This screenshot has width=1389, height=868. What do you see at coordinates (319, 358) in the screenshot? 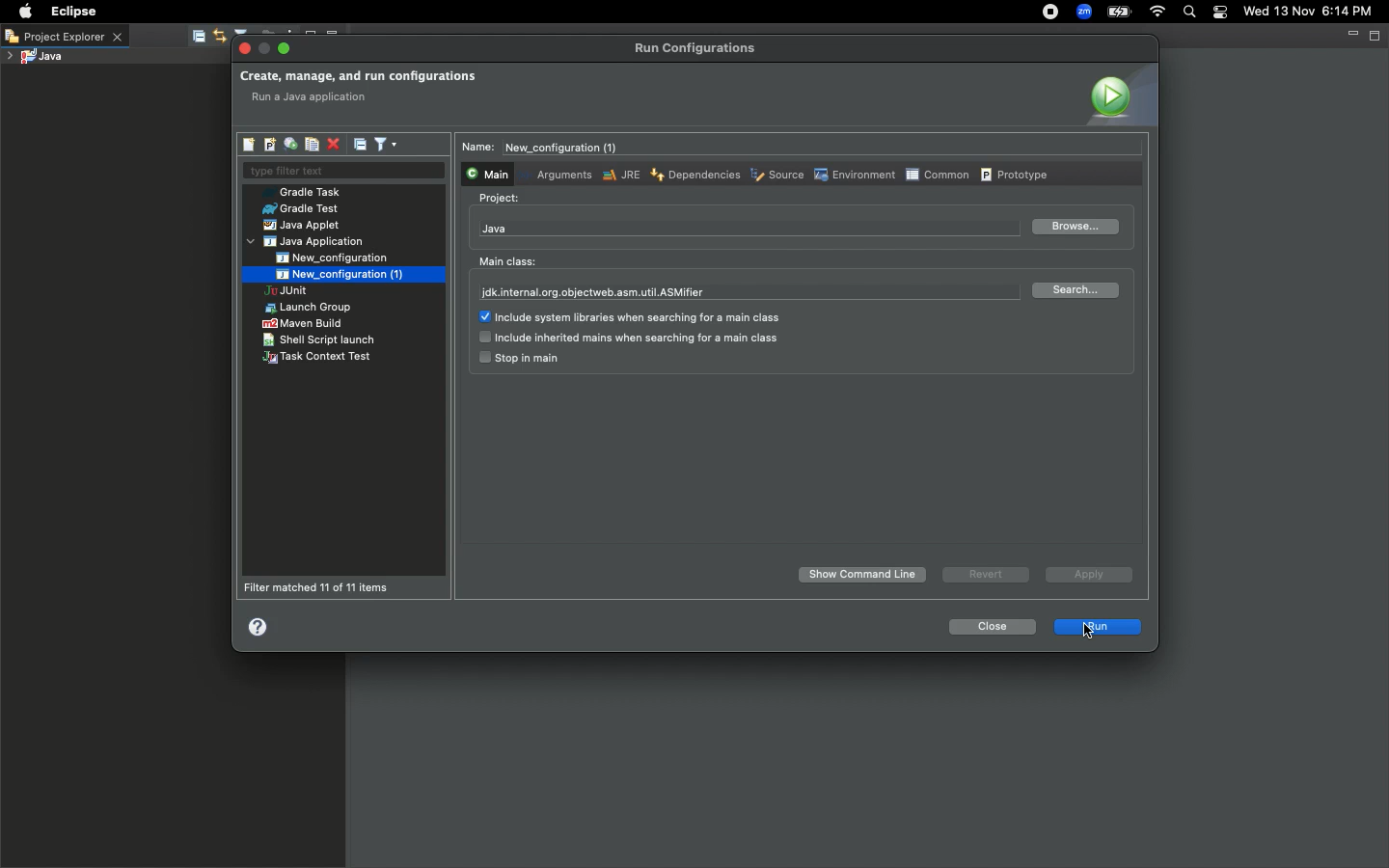
I see `Task context text` at bounding box center [319, 358].